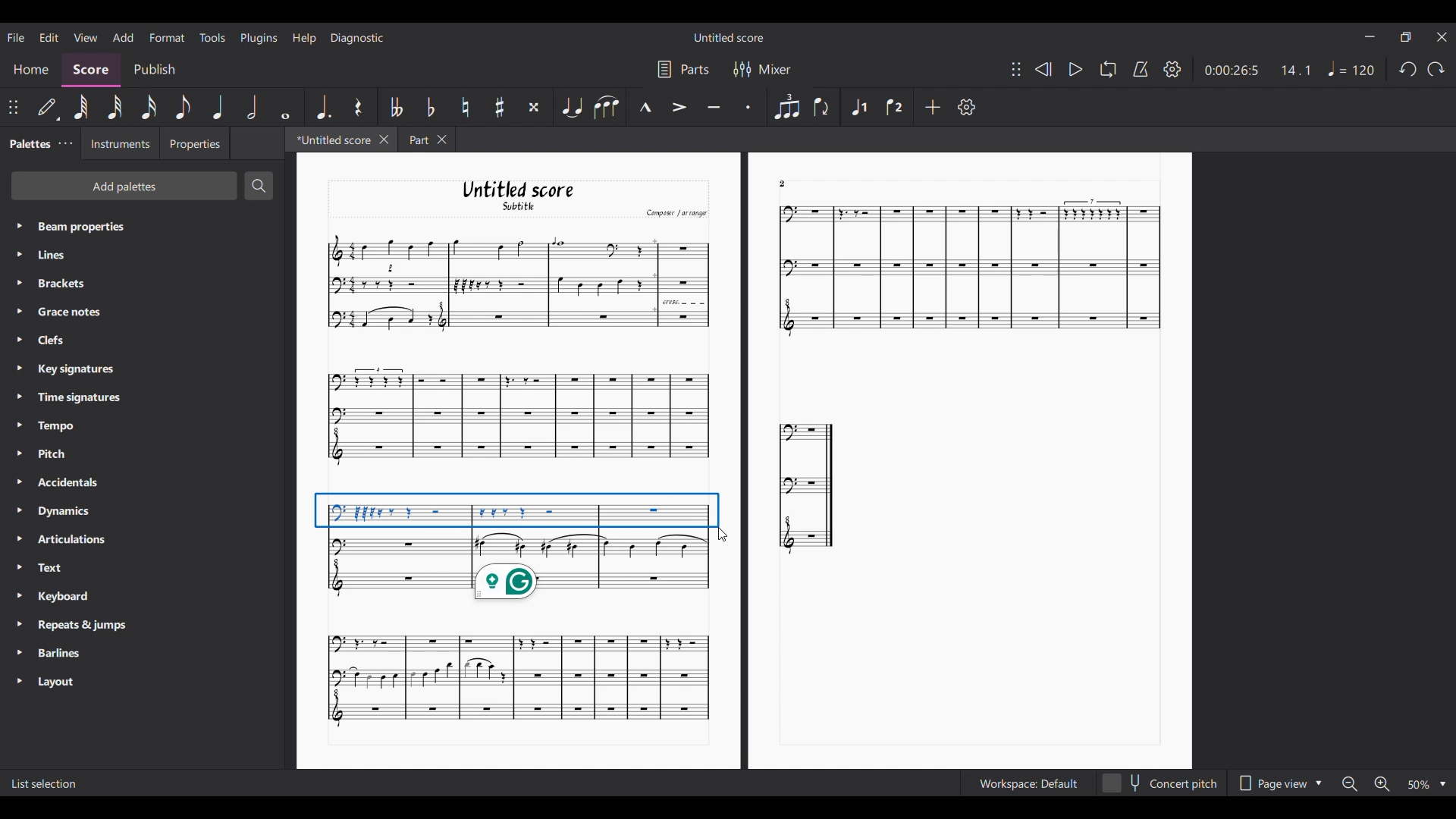 The height and width of the screenshot is (819, 1456). Describe the element at coordinates (58, 285) in the screenshot. I see `» Brackets` at that location.